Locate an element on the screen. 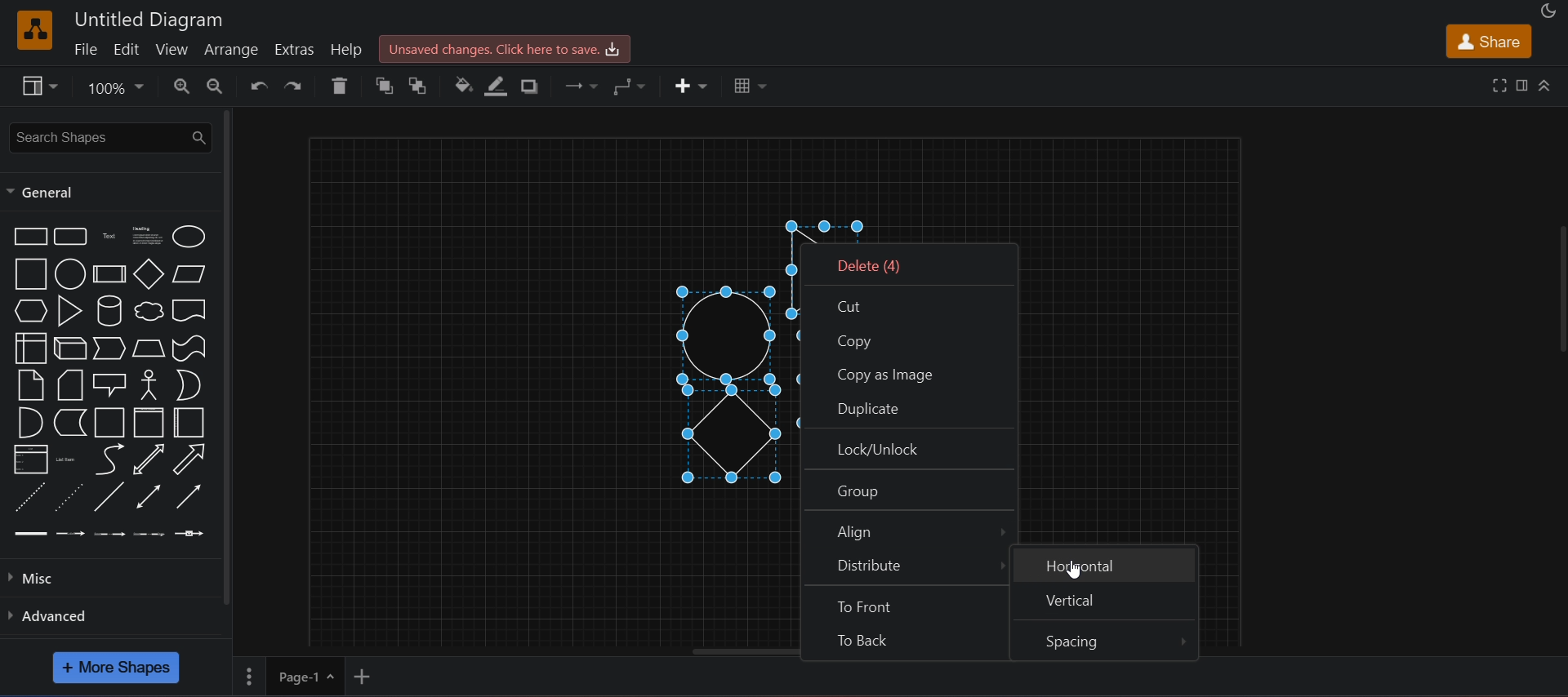 This screenshot has width=1568, height=697. edit is located at coordinates (128, 49).